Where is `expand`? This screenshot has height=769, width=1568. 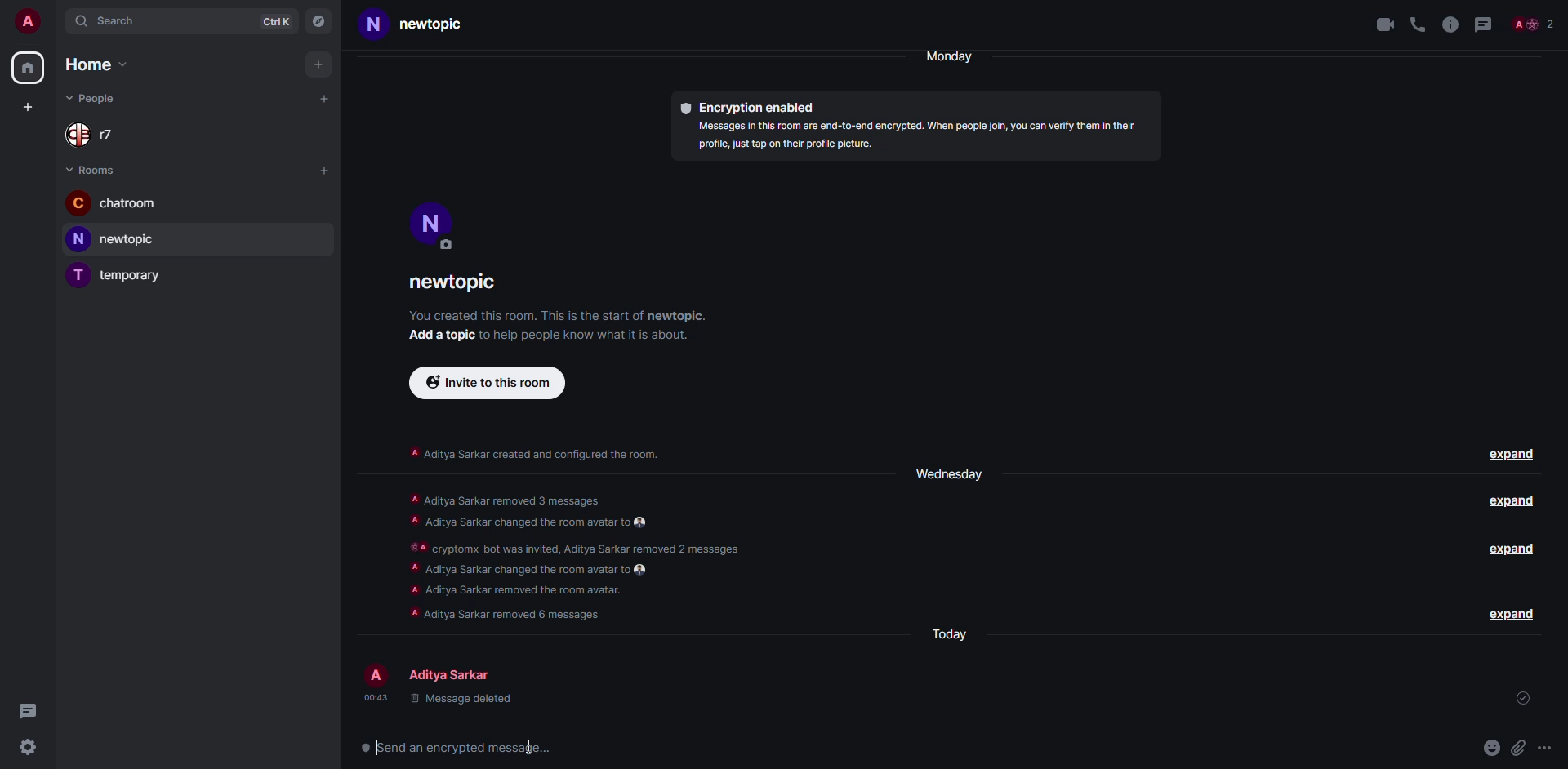
expand is located at coordinates (1509, 613).